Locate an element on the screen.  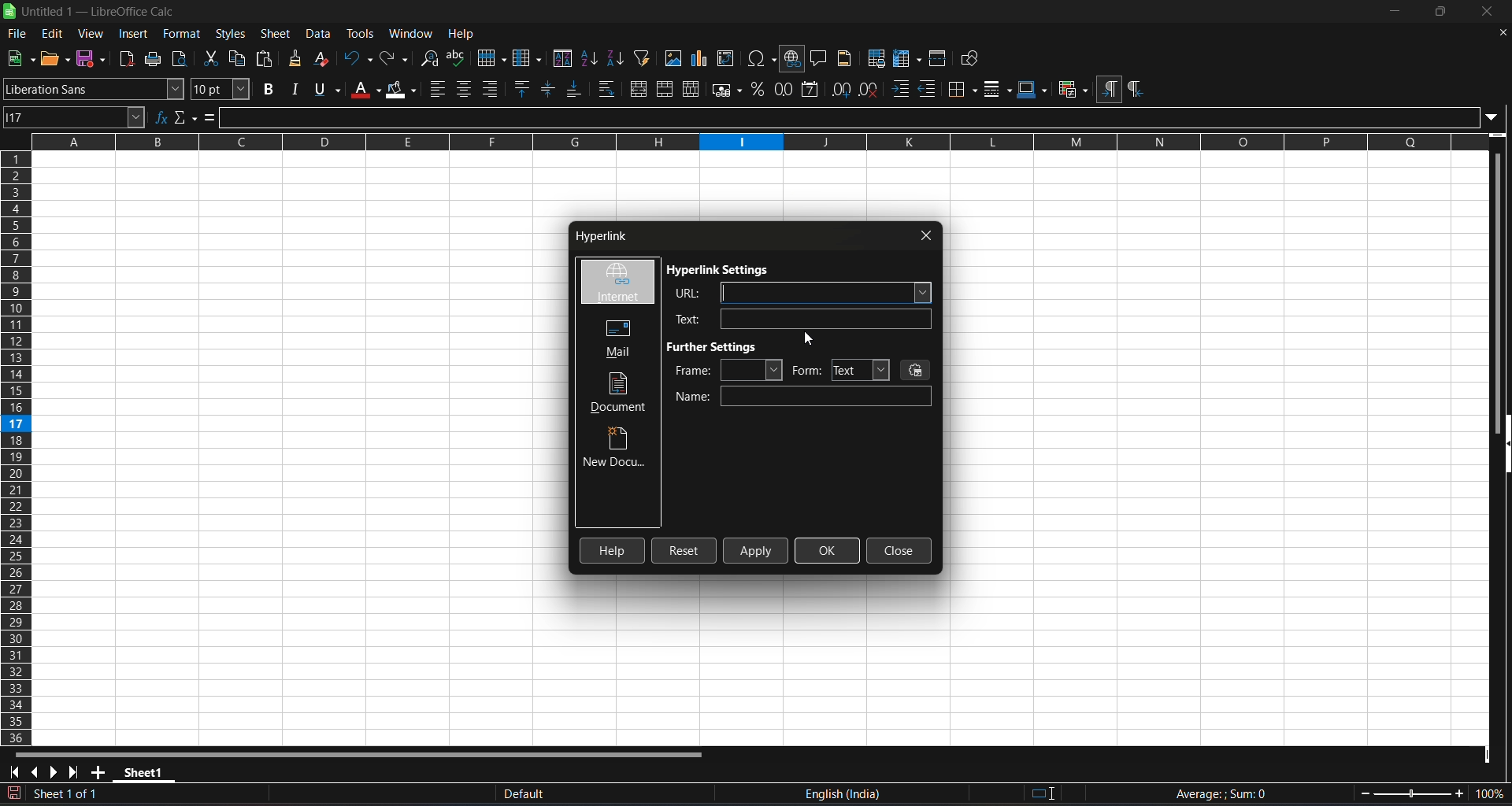
bold is located at coordinates (269, 89).